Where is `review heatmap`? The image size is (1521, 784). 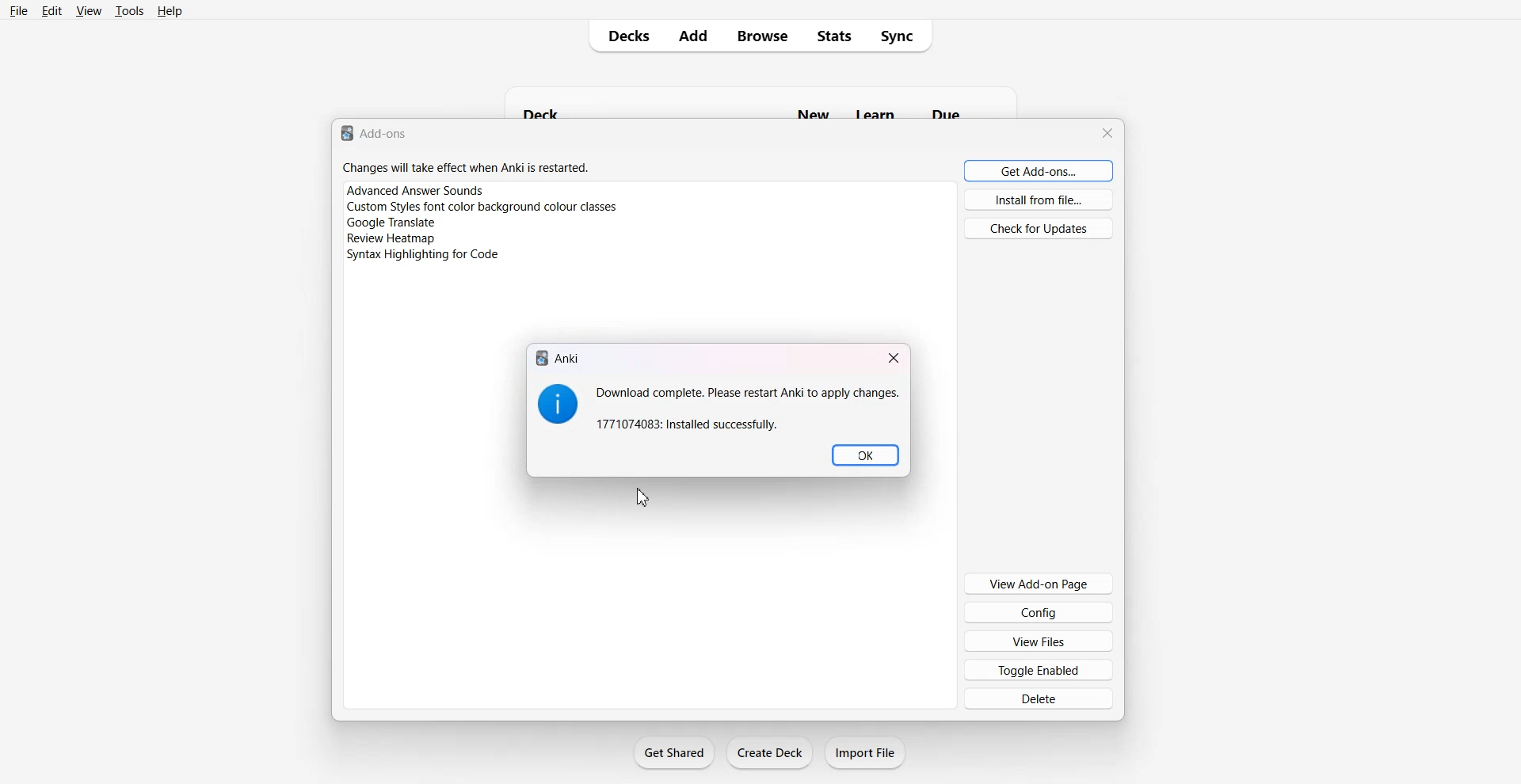
review heatmap is located at coordinates (392, 239).